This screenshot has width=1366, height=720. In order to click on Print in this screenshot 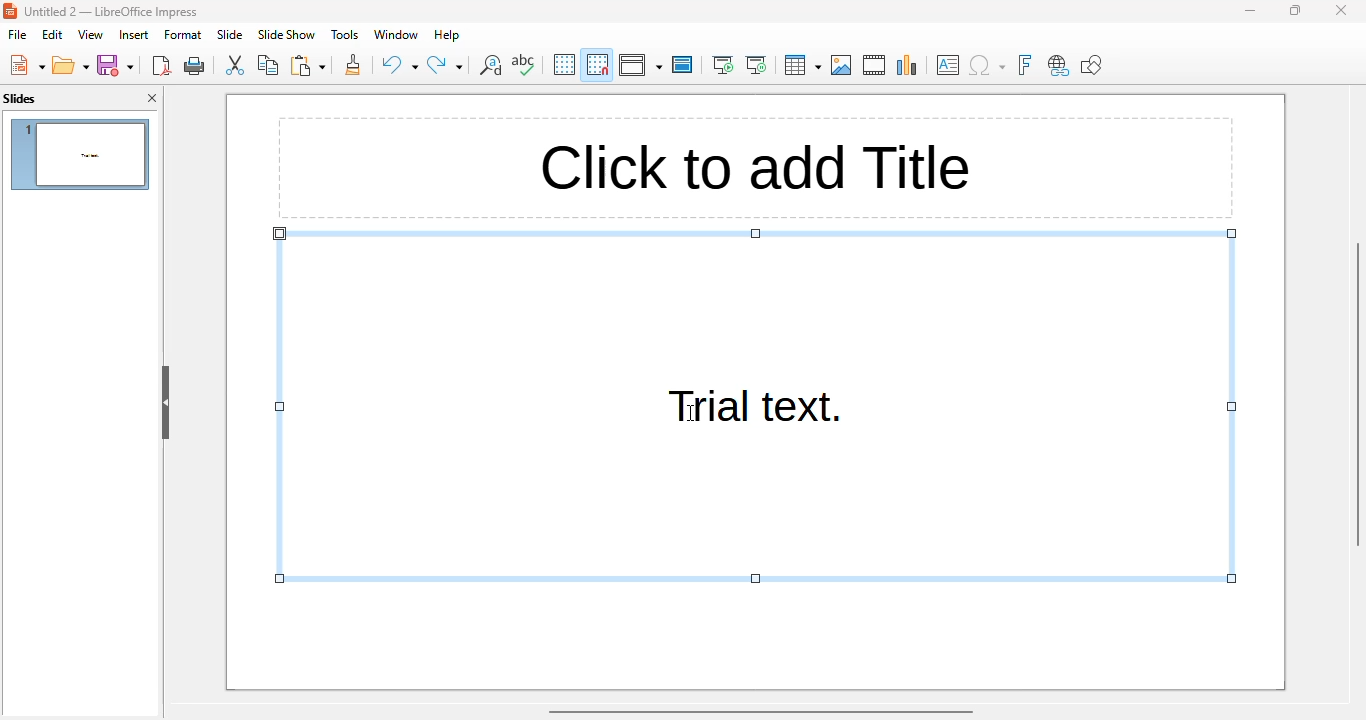, I will do `click(195, 66)`.